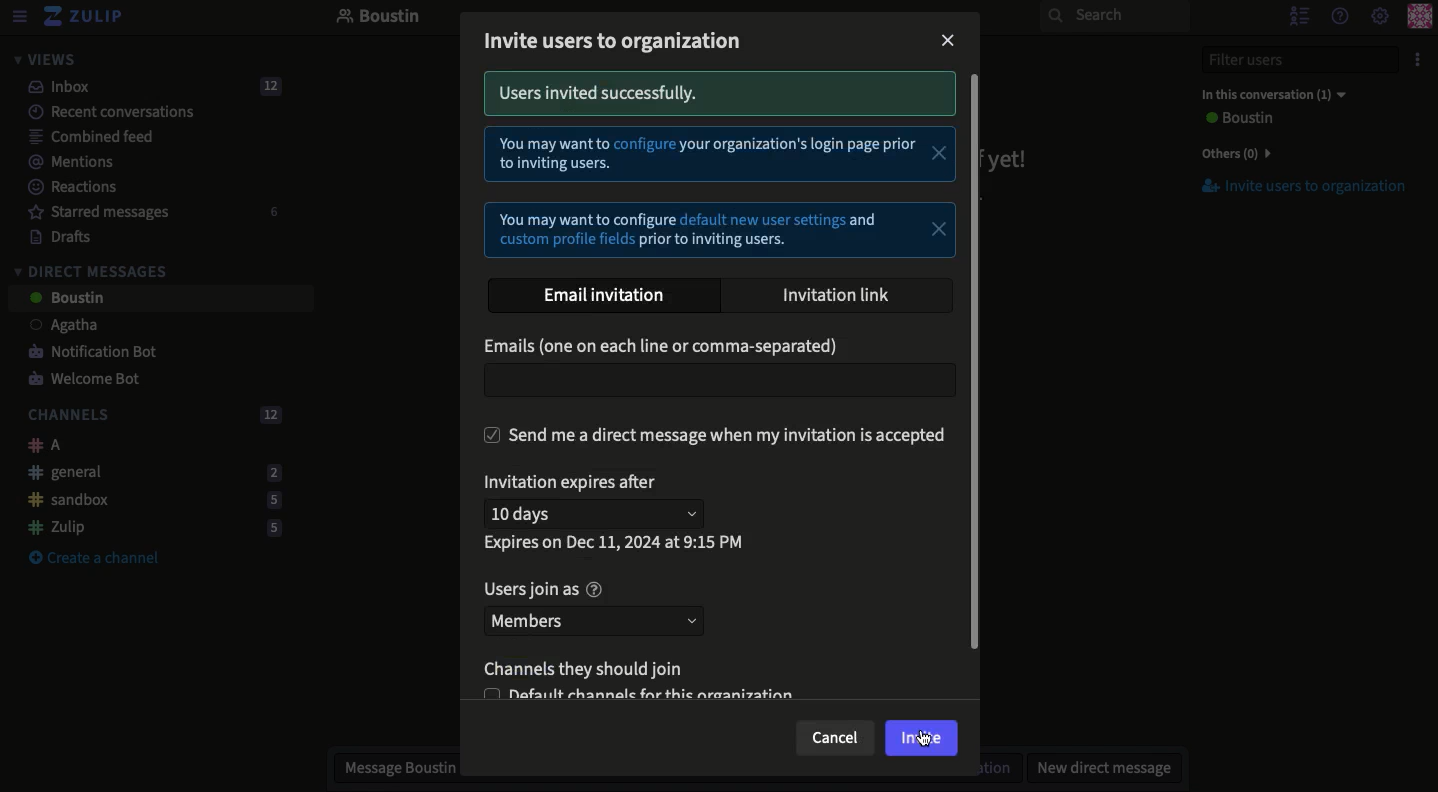 The height and width of the screenshot is (792, 1438). I want to click on Welcome bot, so click(87, 380).